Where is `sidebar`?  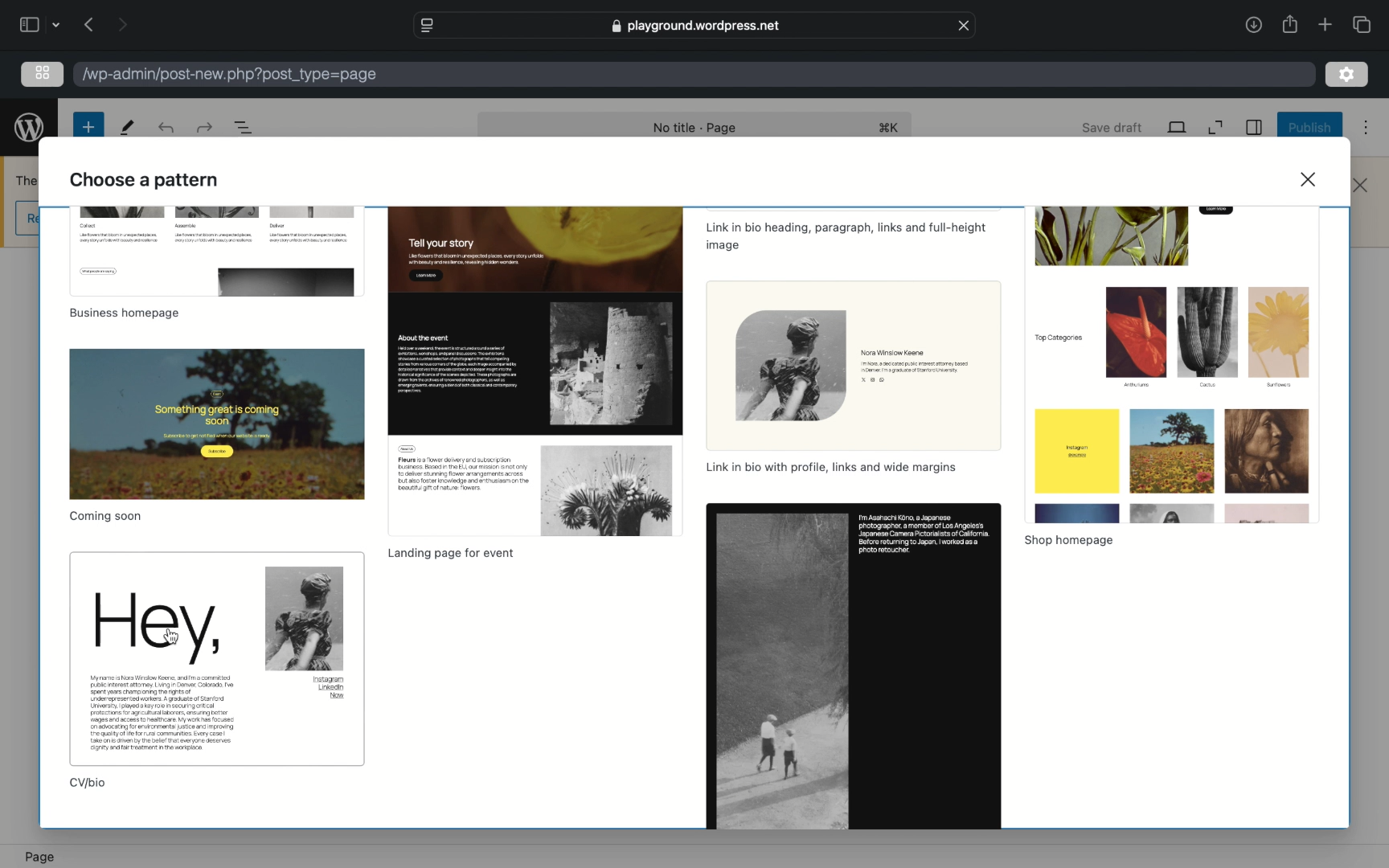 sidebar is located at coordinates (29, 24).